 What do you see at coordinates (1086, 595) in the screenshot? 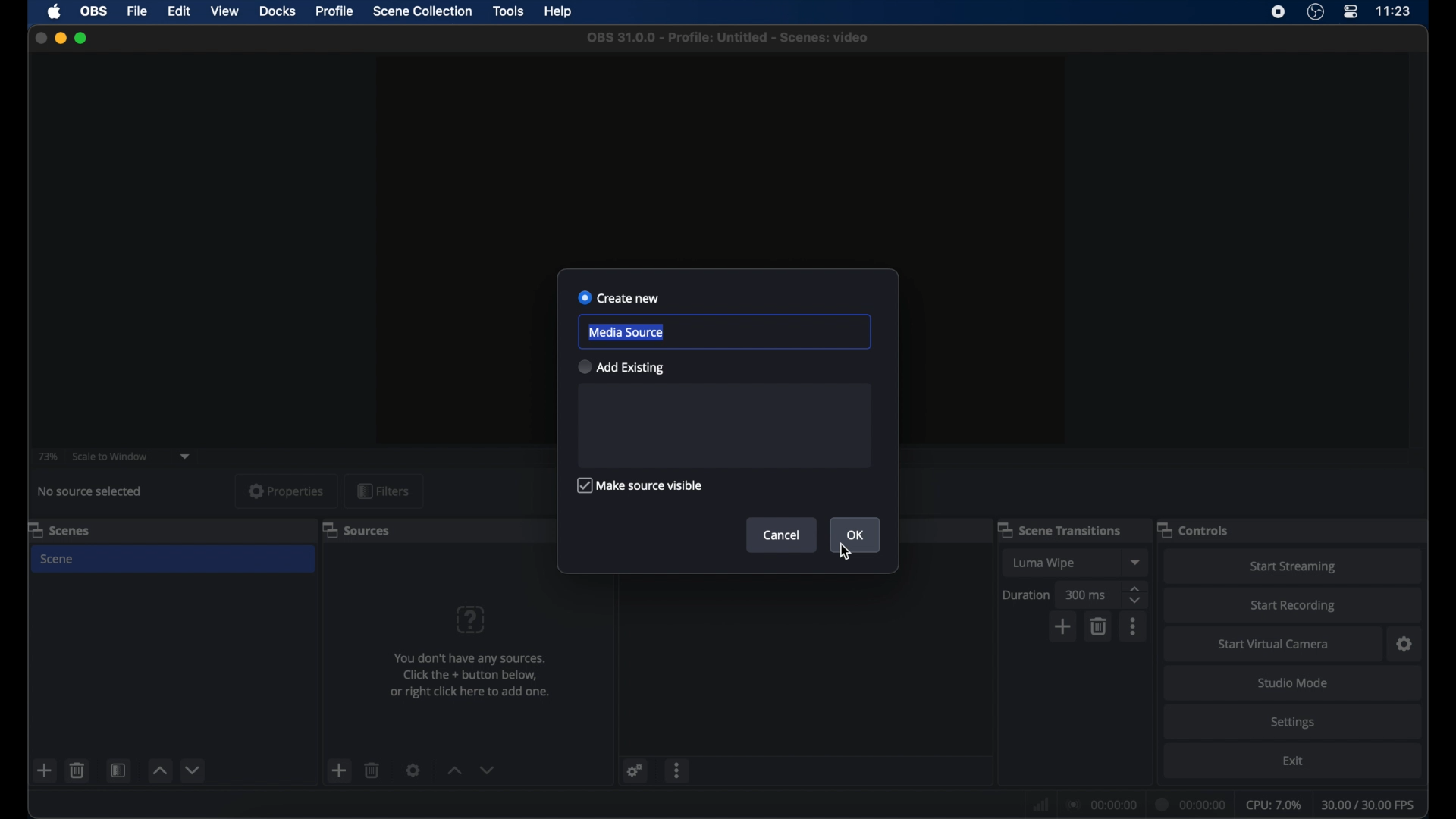
I see `300 ms` at bounding box center [1086, 595].